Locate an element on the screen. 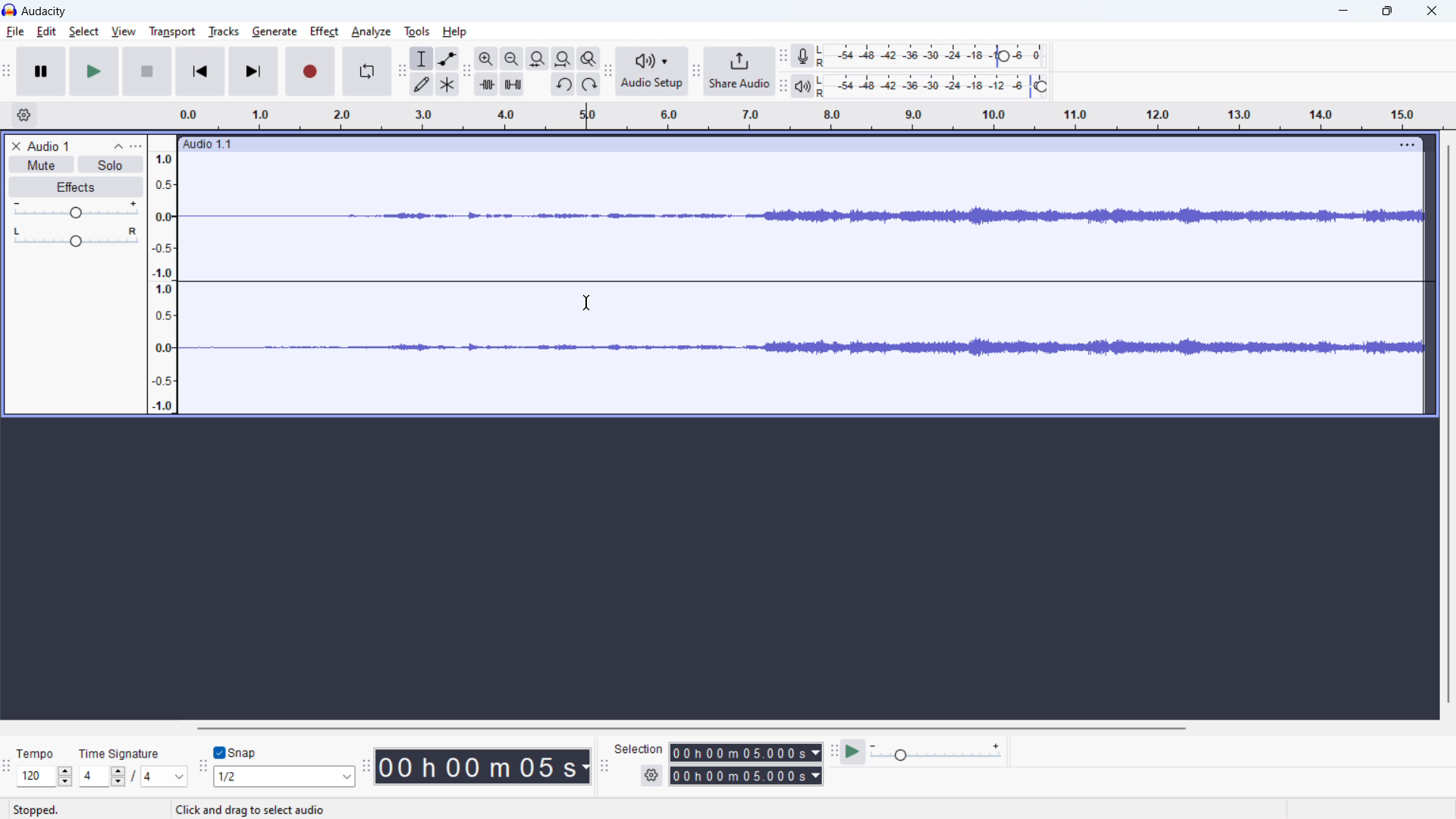  title is located at coordinates (45, 12).